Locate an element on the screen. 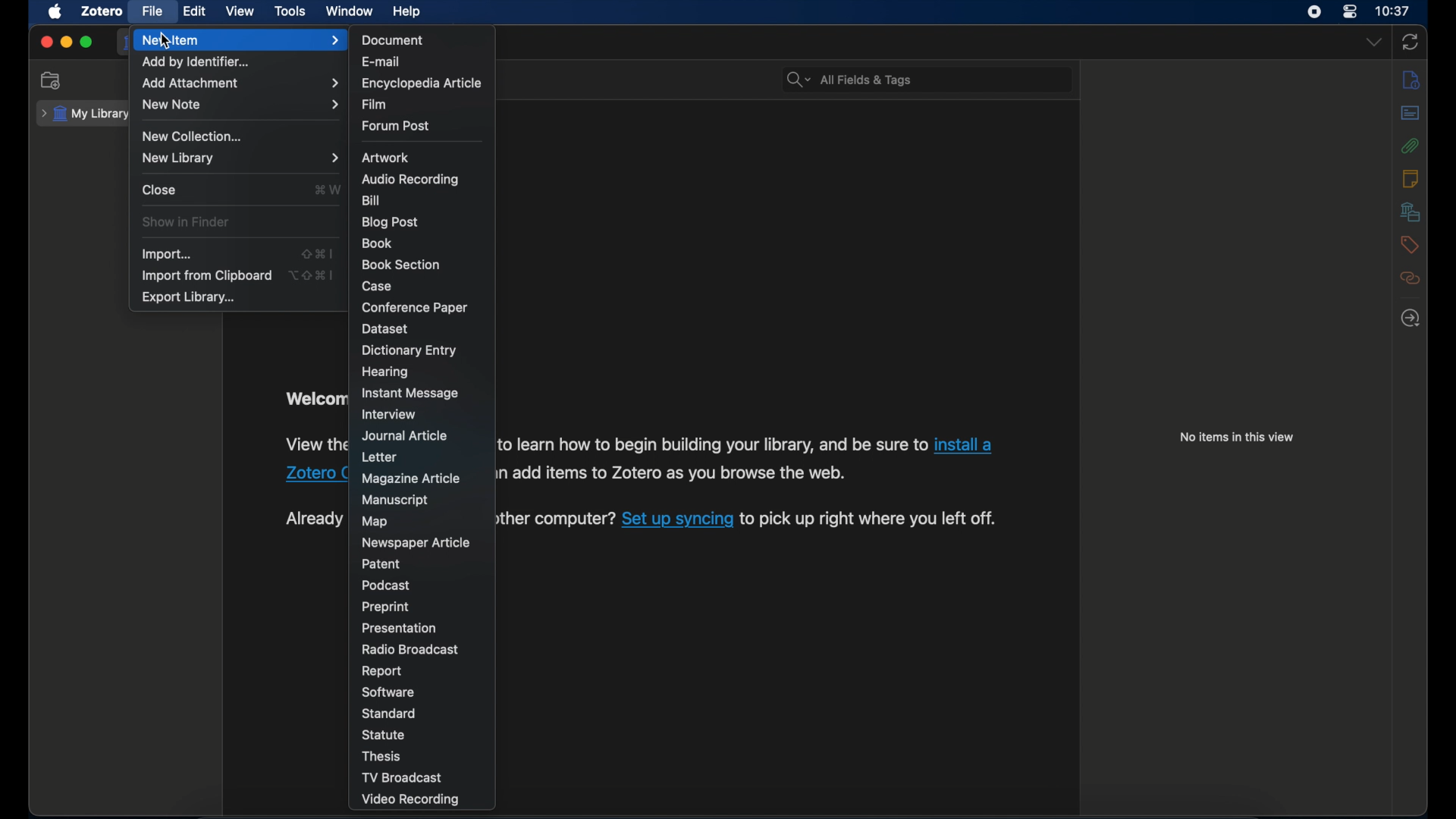 This screenshot has height=819, width=1456. control center is located at coordinates (1351, 13).